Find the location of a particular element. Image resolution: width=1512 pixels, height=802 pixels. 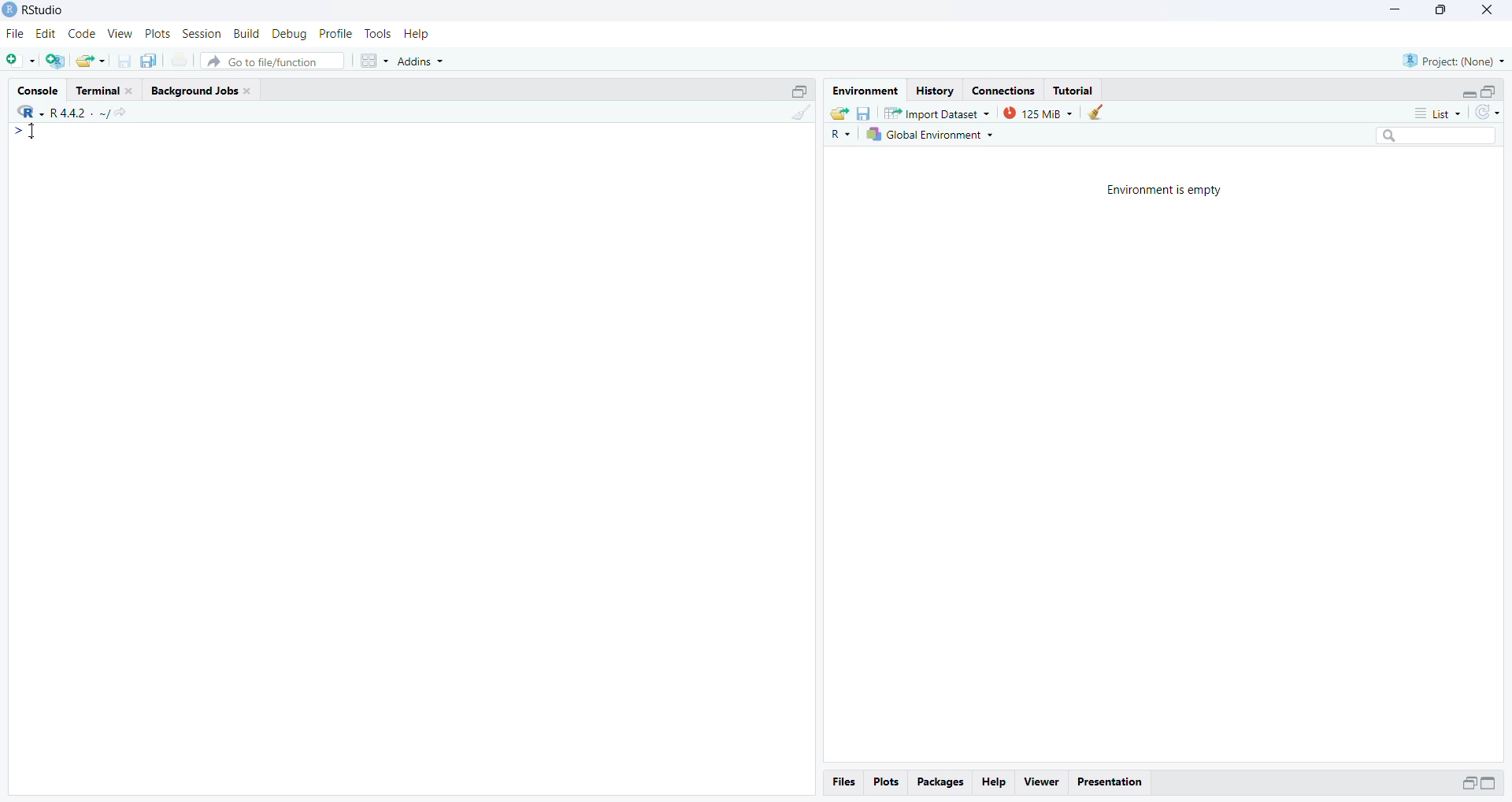

Edit is located at coordinates (47, 34).